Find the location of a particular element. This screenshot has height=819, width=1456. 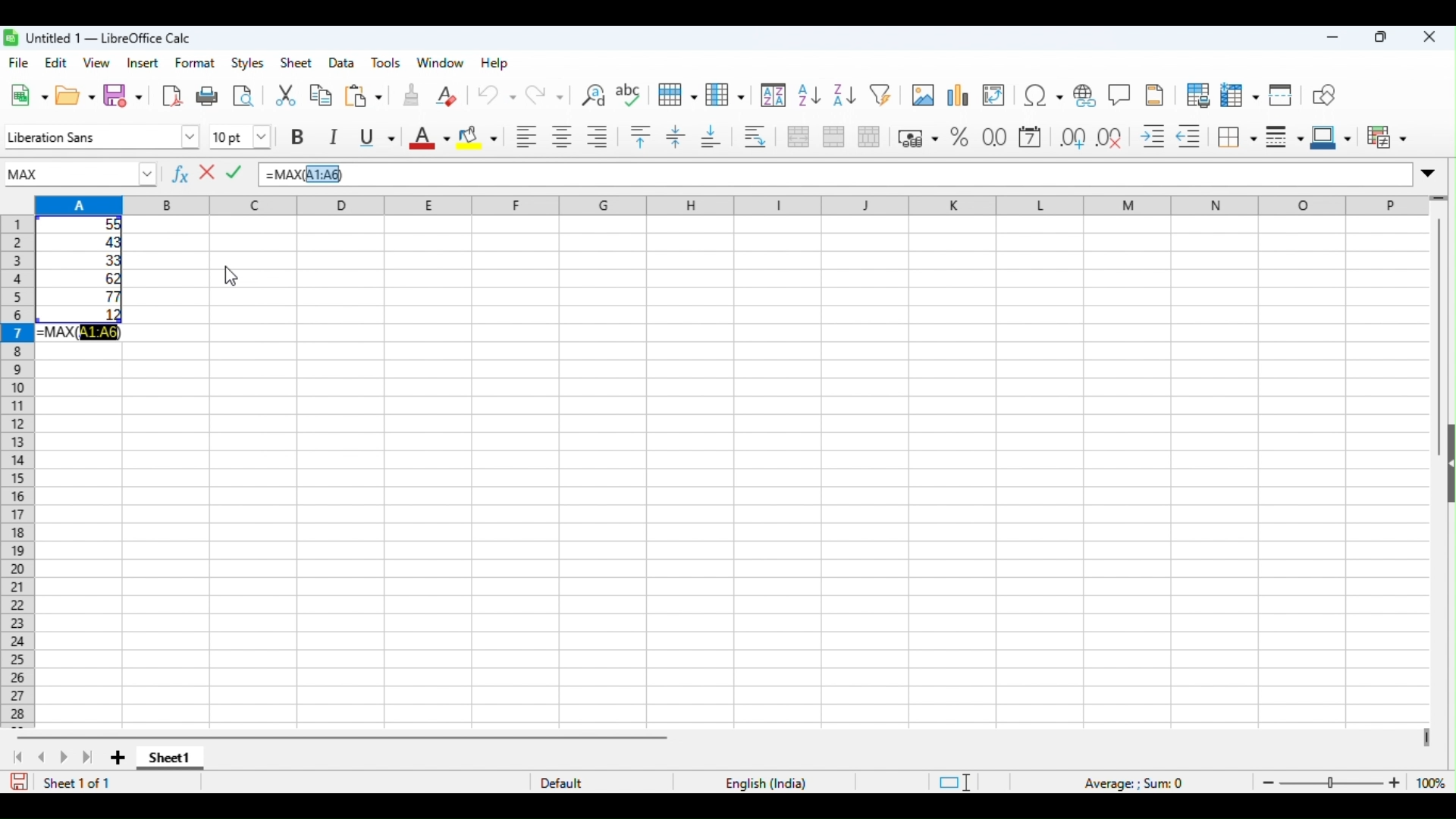

maximize is located at coordinates (1382, 37).